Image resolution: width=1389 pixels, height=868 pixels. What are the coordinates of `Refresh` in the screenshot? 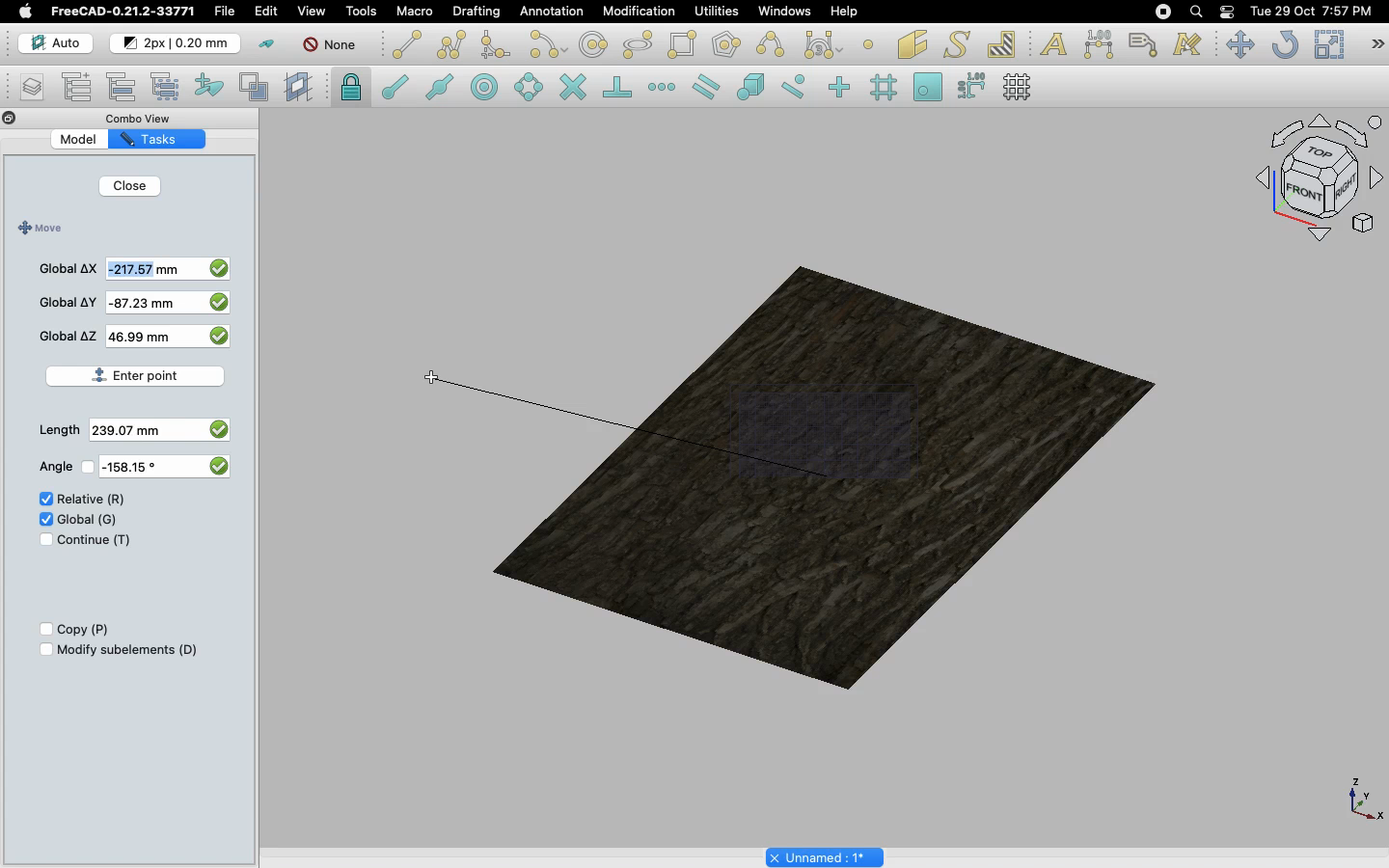 It's located at (1285, 46).